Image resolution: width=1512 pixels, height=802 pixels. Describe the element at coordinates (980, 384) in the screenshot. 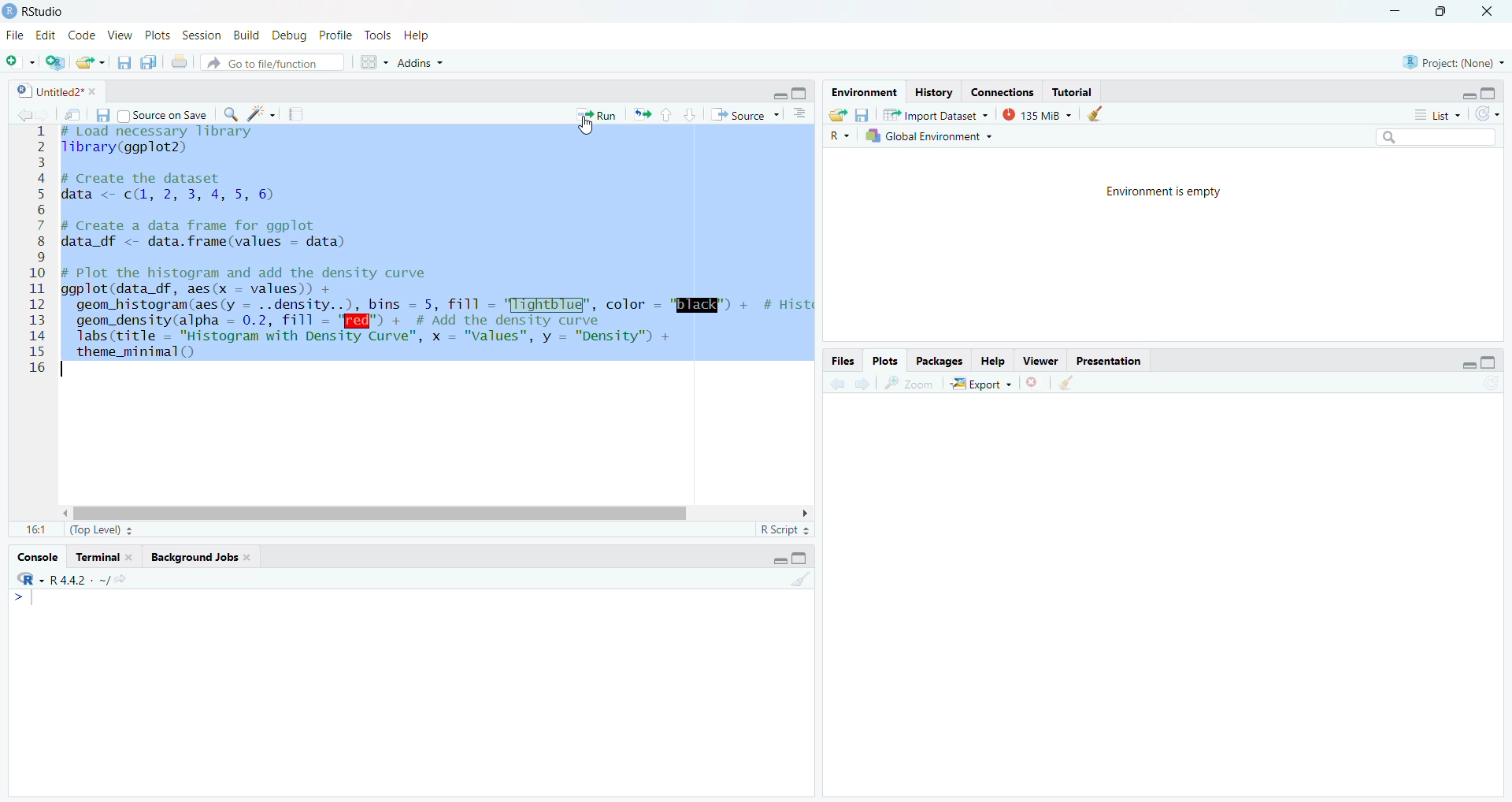

I see `export` at that location.